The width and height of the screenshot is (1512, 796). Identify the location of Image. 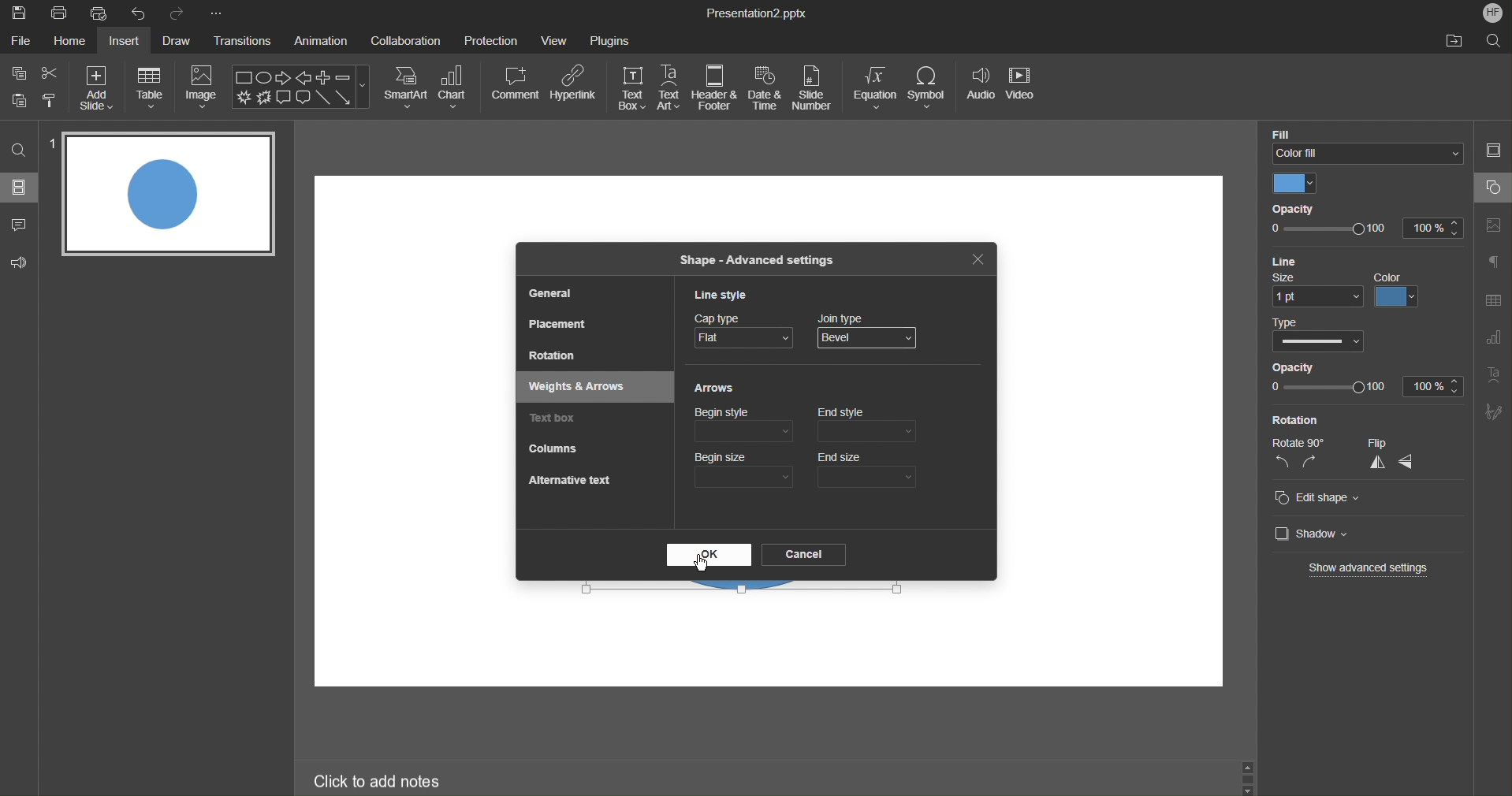
(203, 87).